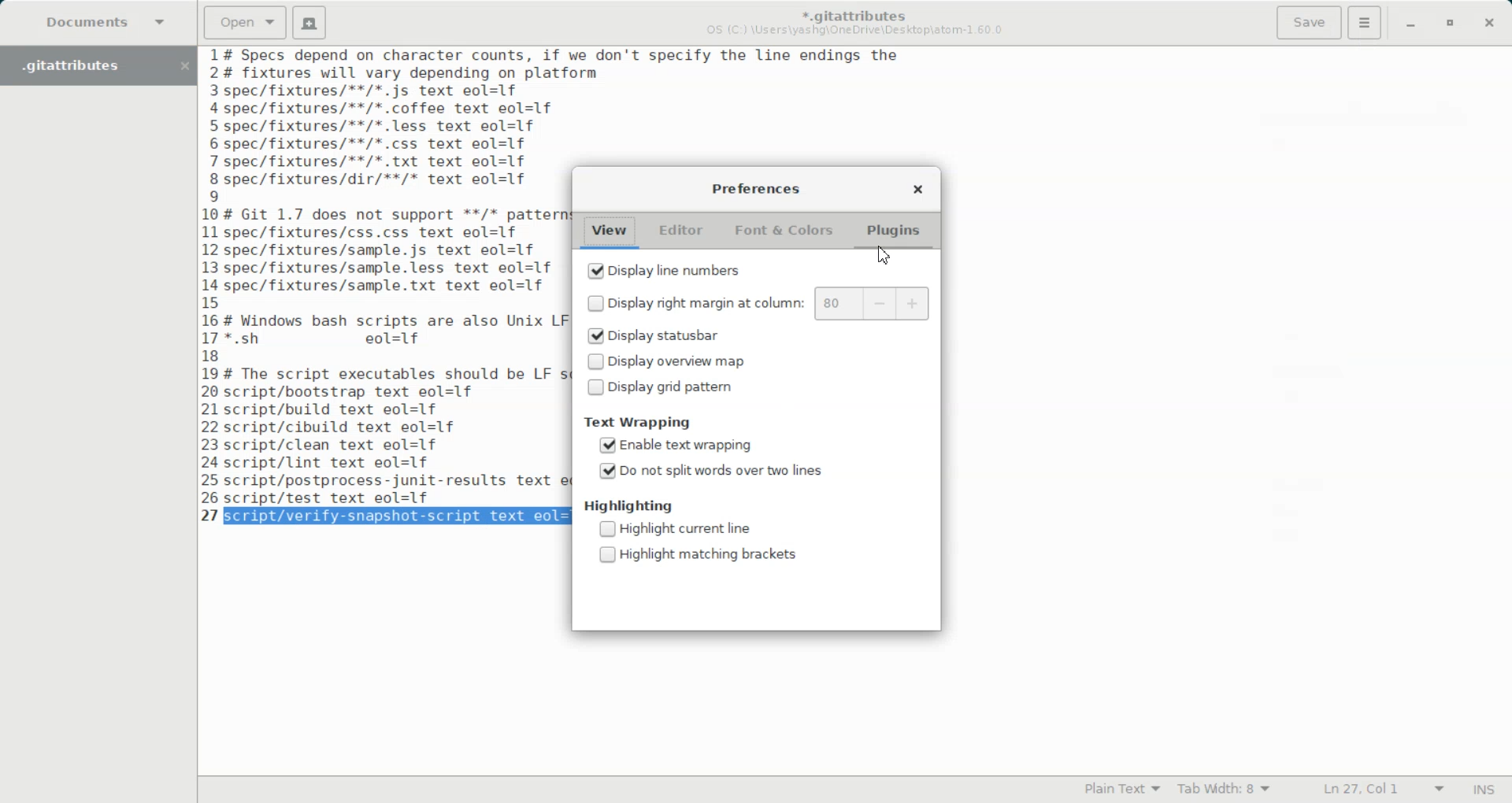 Image resolution: width=1512 pixels, height=803 pixels. I want to click on *.gitattributes, so click(850, 12).